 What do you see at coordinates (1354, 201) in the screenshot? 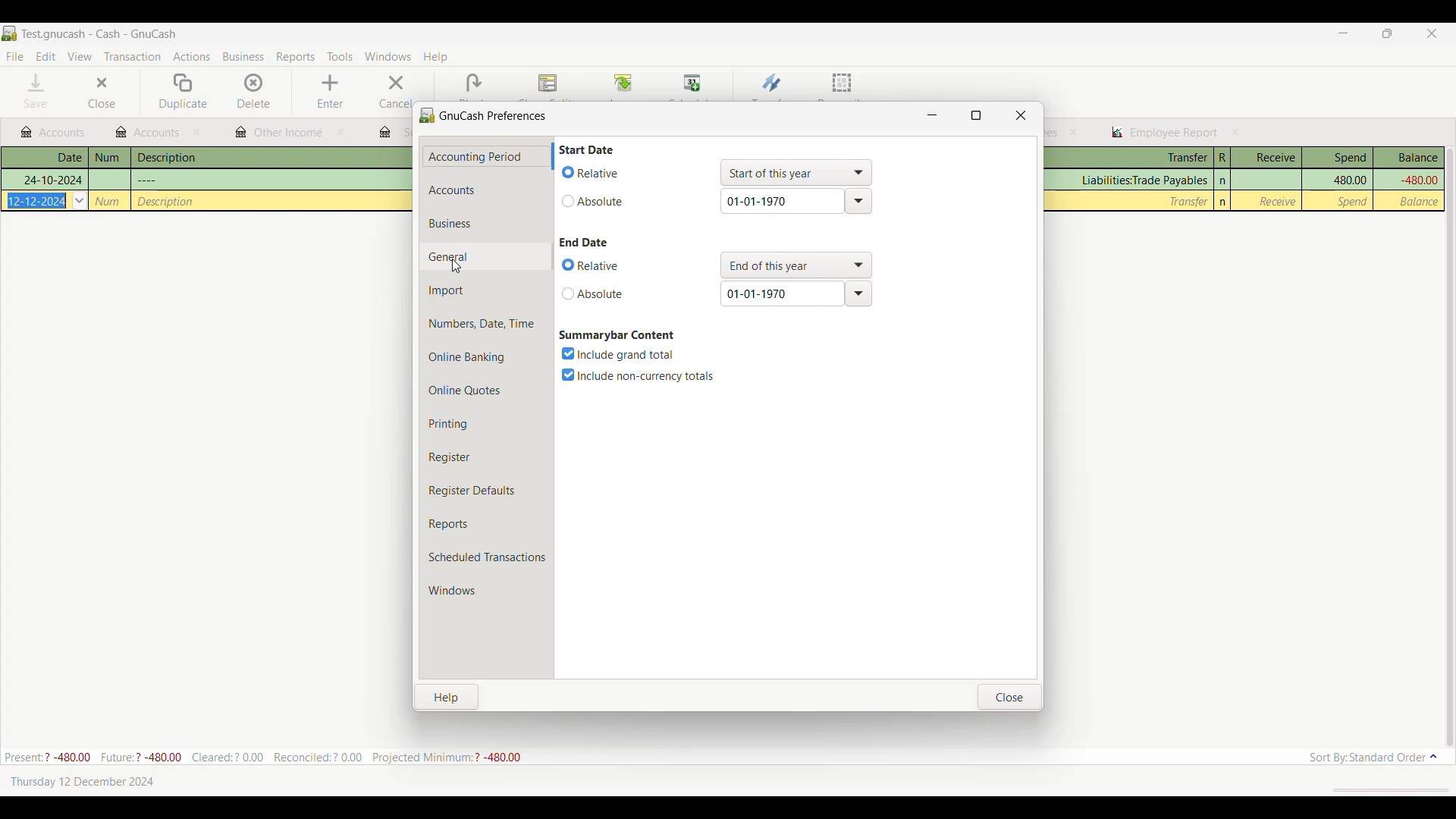
I see `Spend column` at bounding box center [1354, 201].